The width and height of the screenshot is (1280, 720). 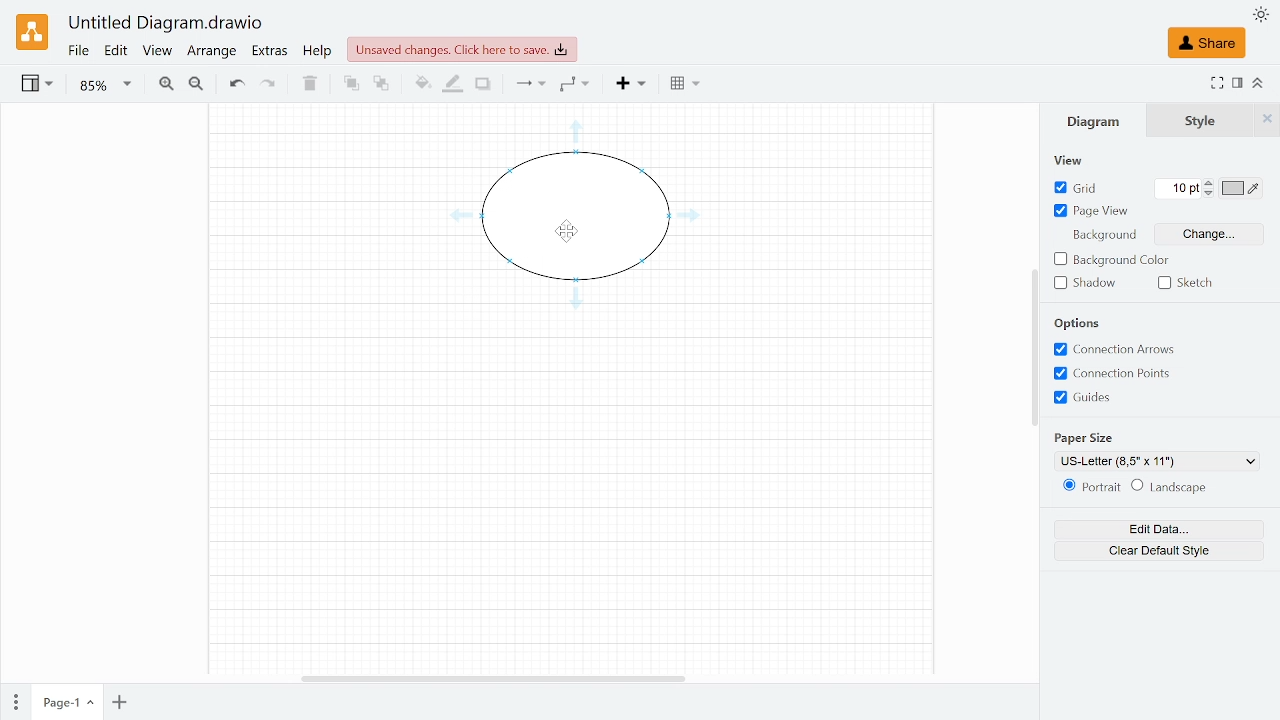 What do you see at coordinates (164, 23) in the screenshot?
I see `Untitled Diagram.drawio` at bounding box center [164, 23].